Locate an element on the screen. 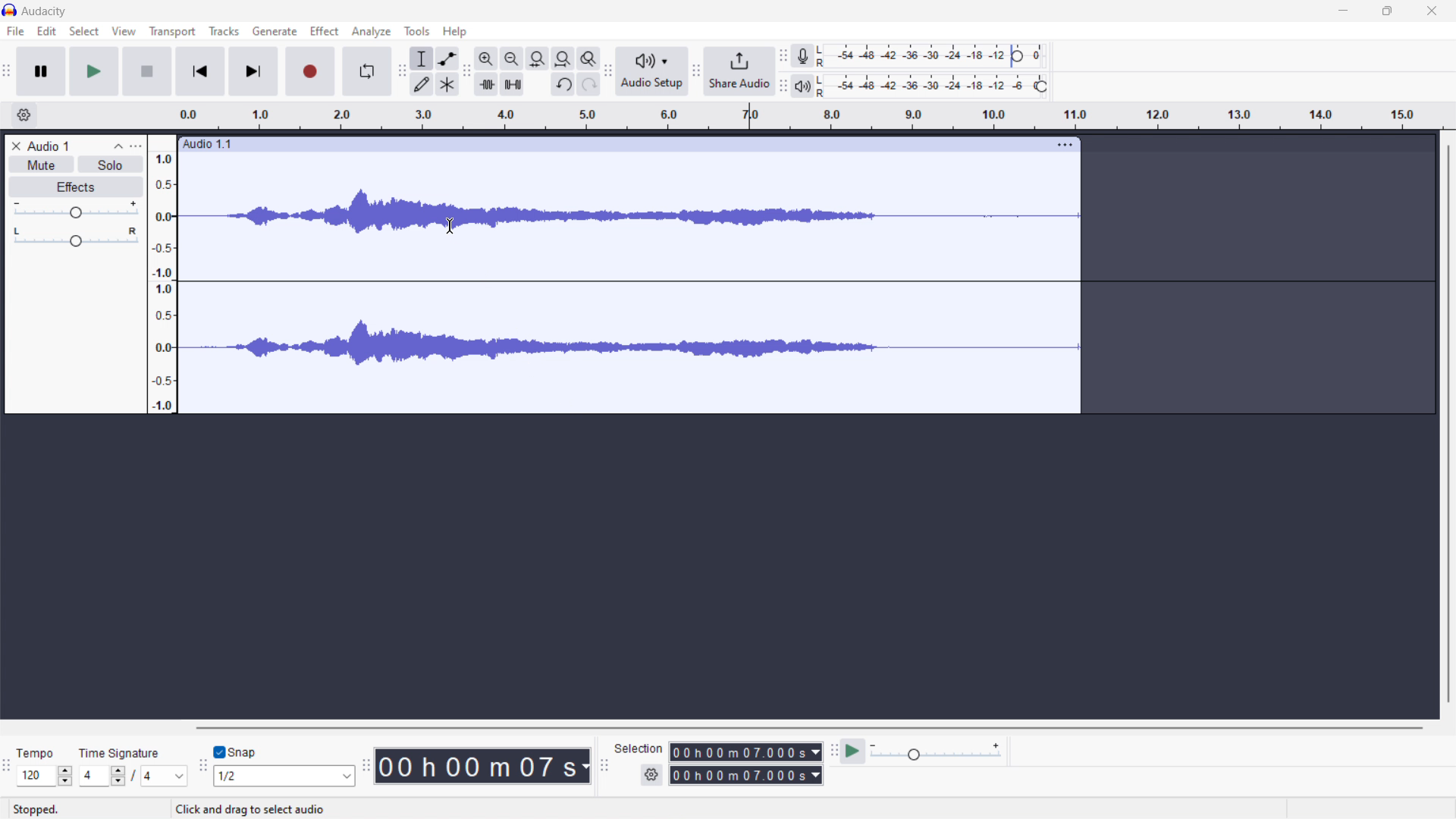  Audio 1 is located at coordinates (49, 145).